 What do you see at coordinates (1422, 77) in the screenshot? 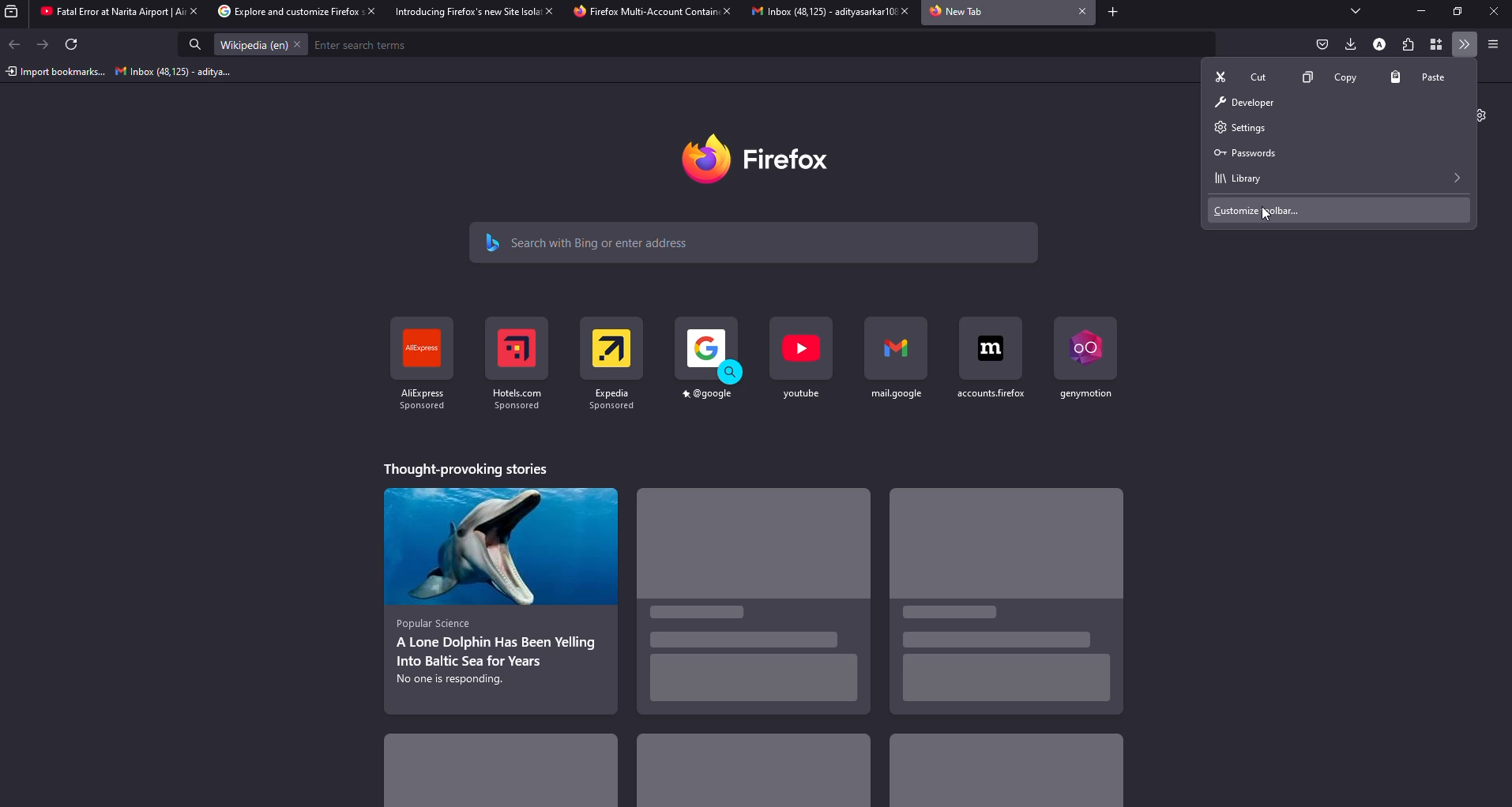
I see `paste` at bounding box center [1422, 77].